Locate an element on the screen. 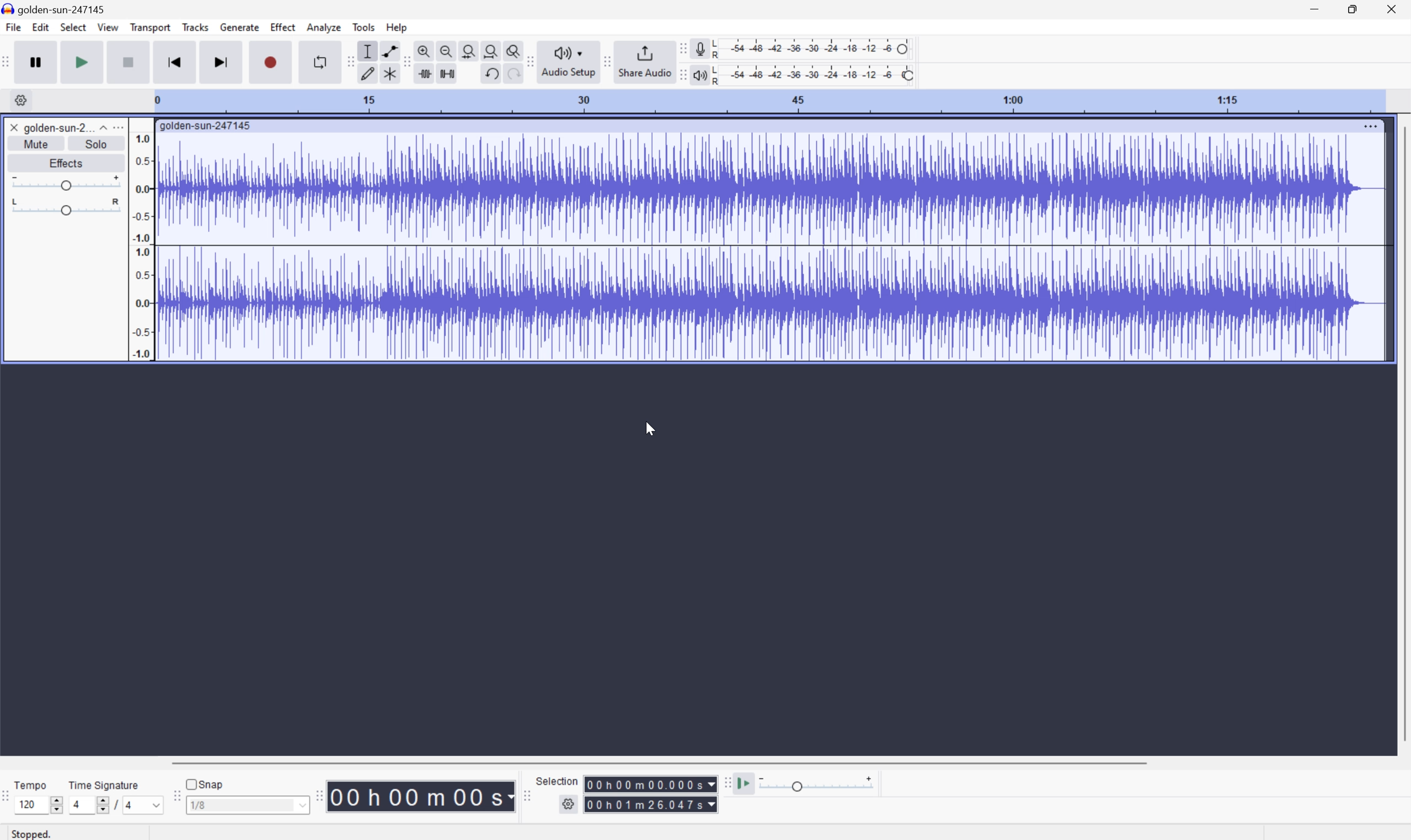 This screenshot has height=840, width=1411. Selection is located at coordinates (559, 781).